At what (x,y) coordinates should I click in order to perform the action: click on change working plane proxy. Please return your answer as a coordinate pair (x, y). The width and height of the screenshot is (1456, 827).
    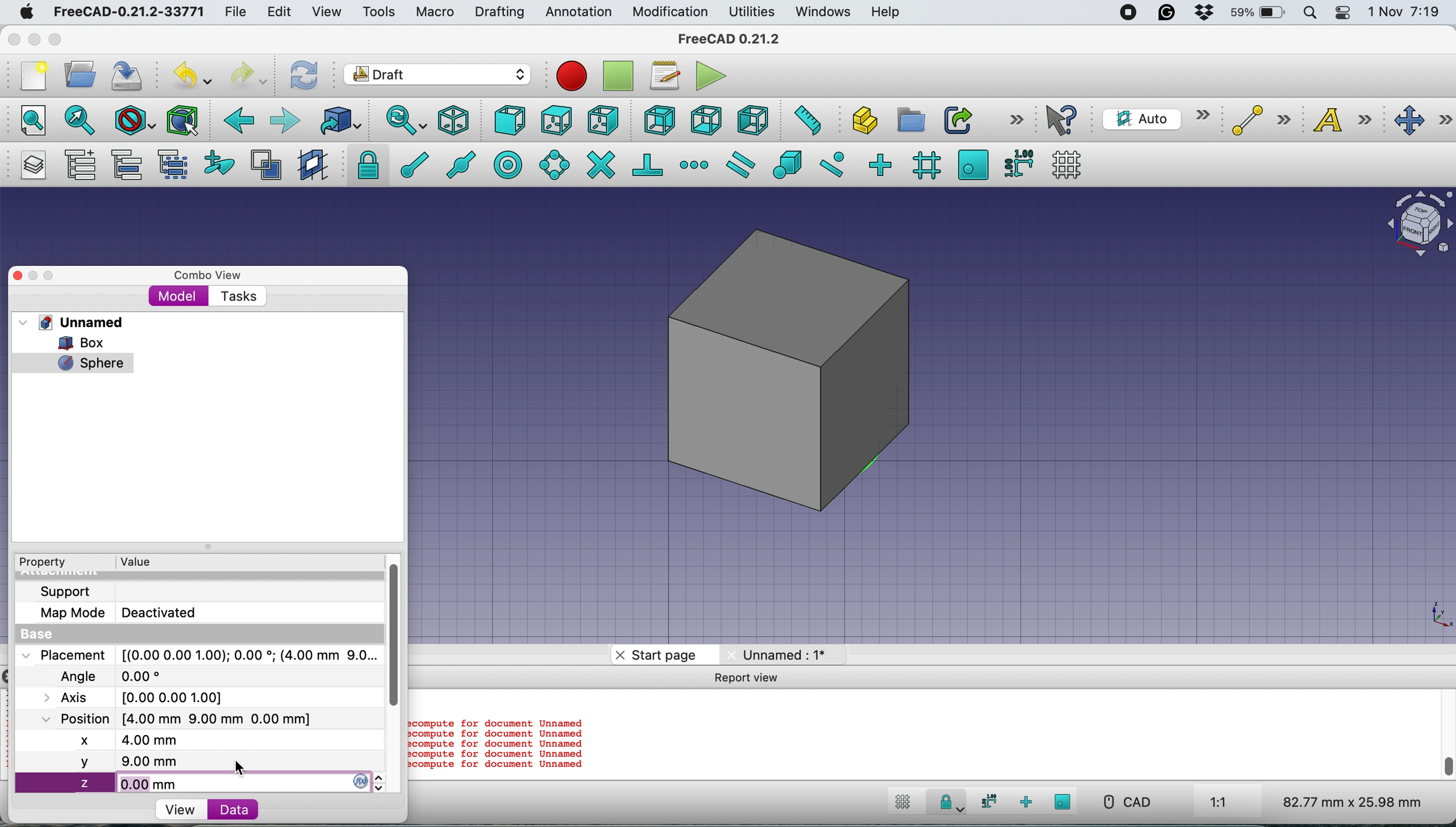
    Looking at the image, I should click on (311, 166).